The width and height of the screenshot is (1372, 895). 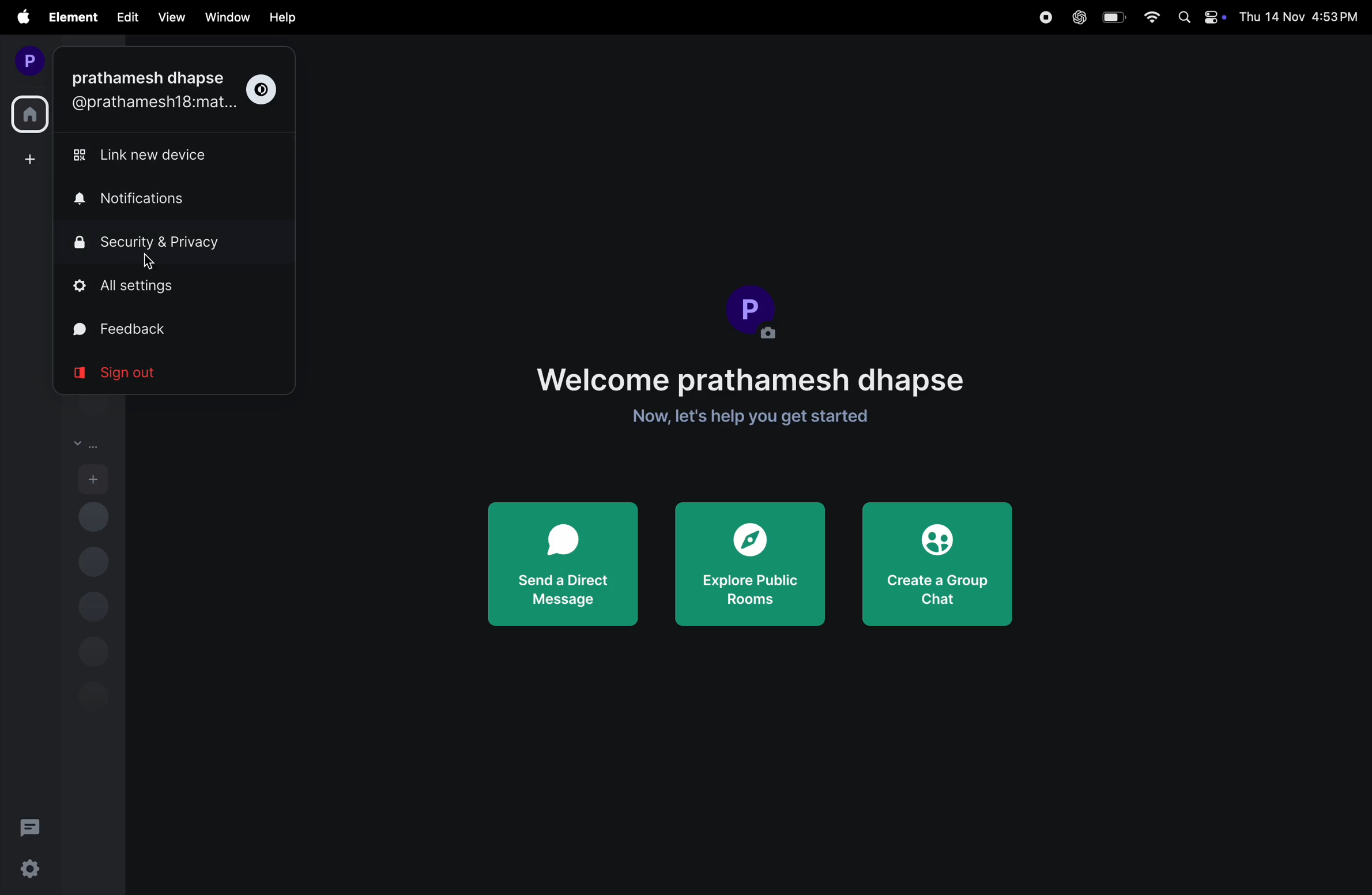 I want to click on cursor, so click(x=151, y=264).